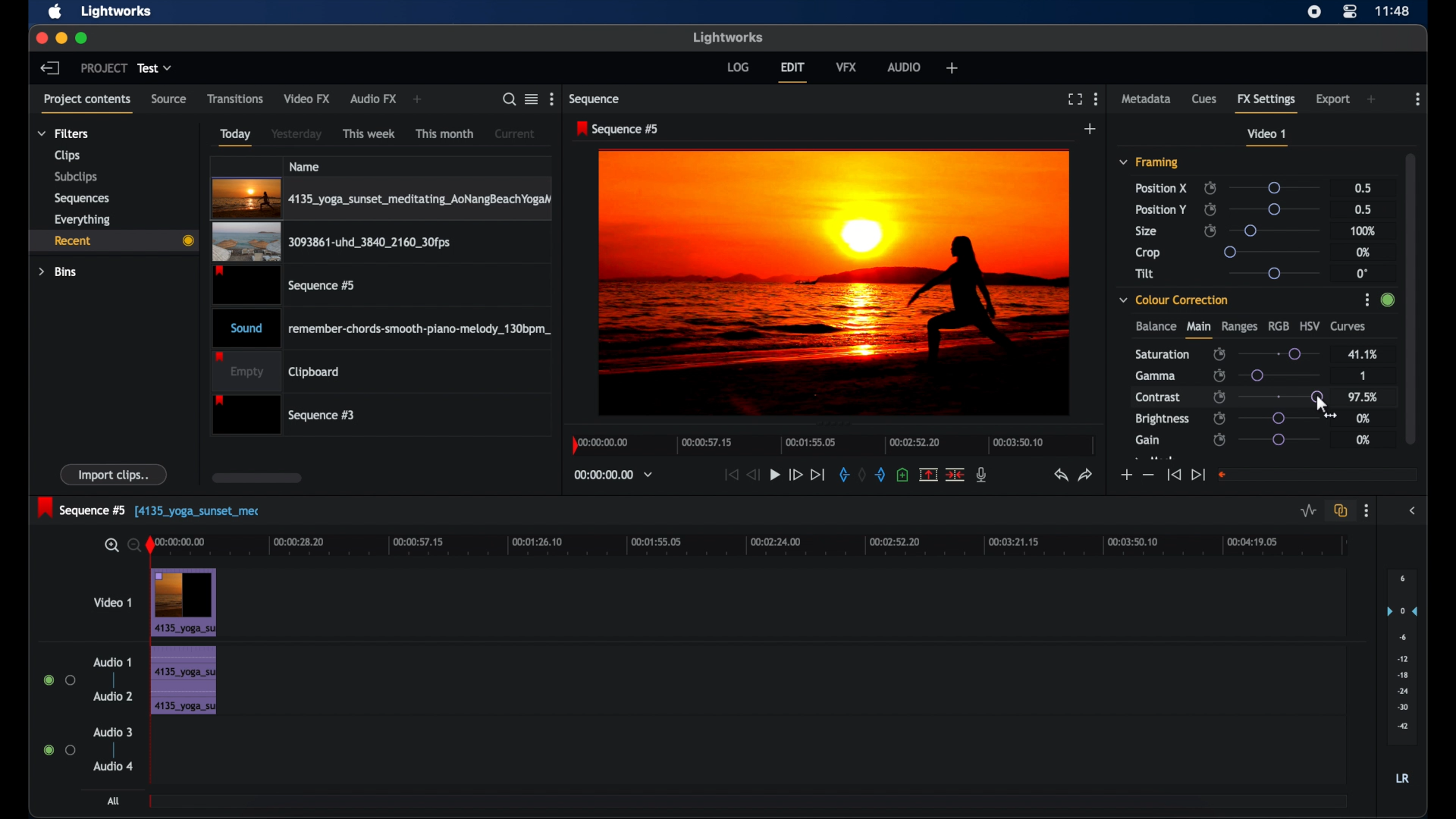 The image size is (1456, 819). I want to click on jump to start, so click(1173, 475).